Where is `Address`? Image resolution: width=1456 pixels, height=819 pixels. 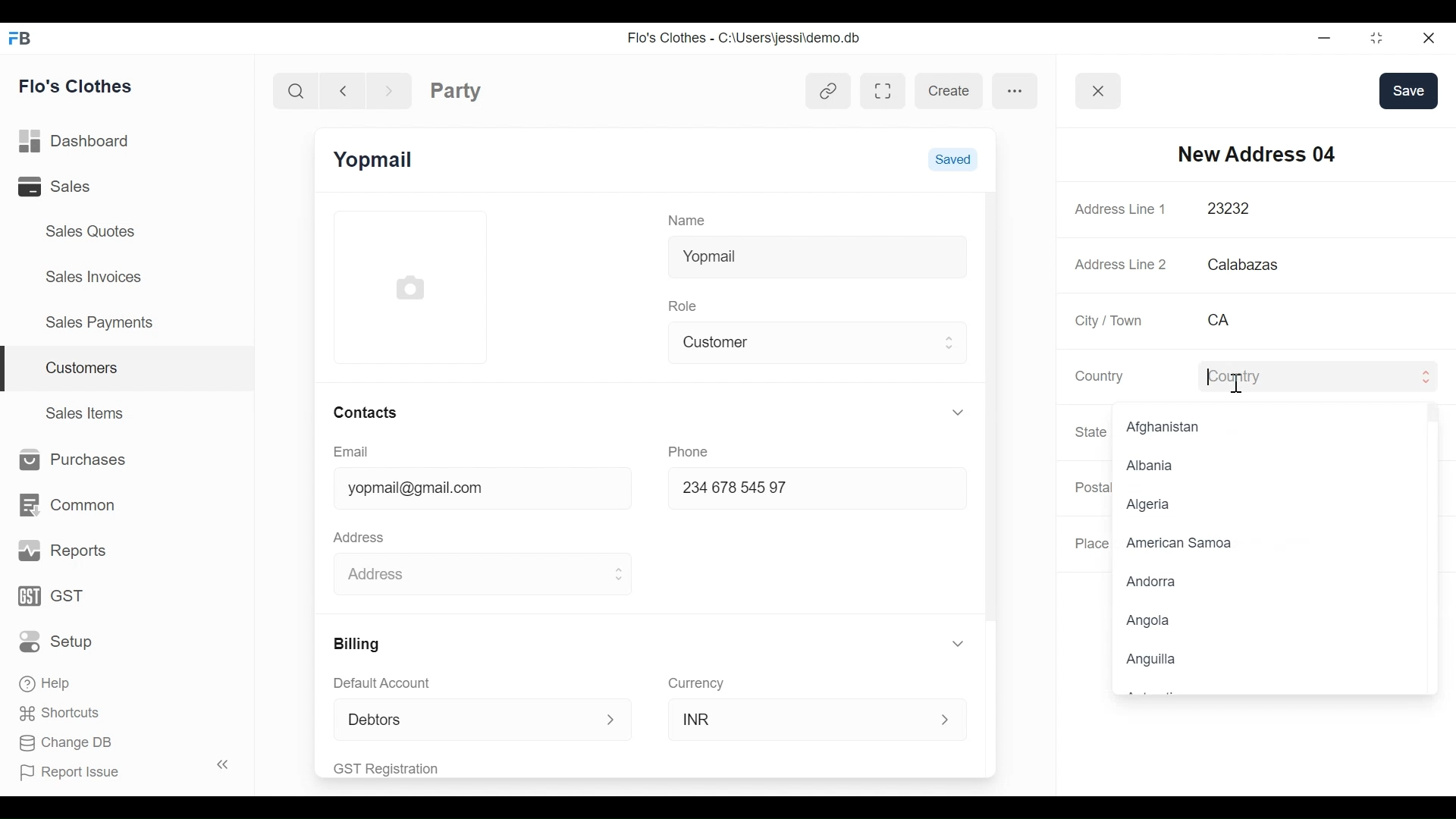 Address is located at coordinates (465, 571).